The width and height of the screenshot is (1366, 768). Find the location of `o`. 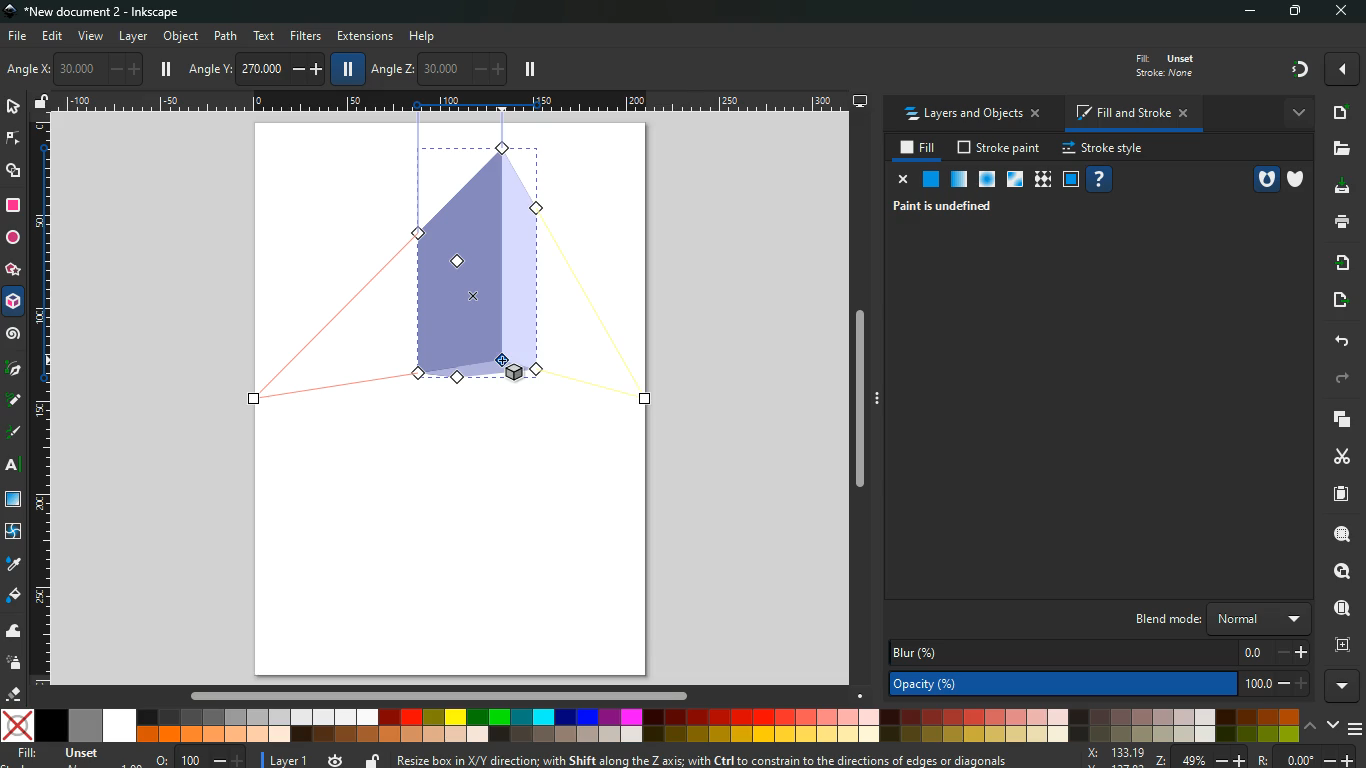

o is located at coordinates (196, 758).